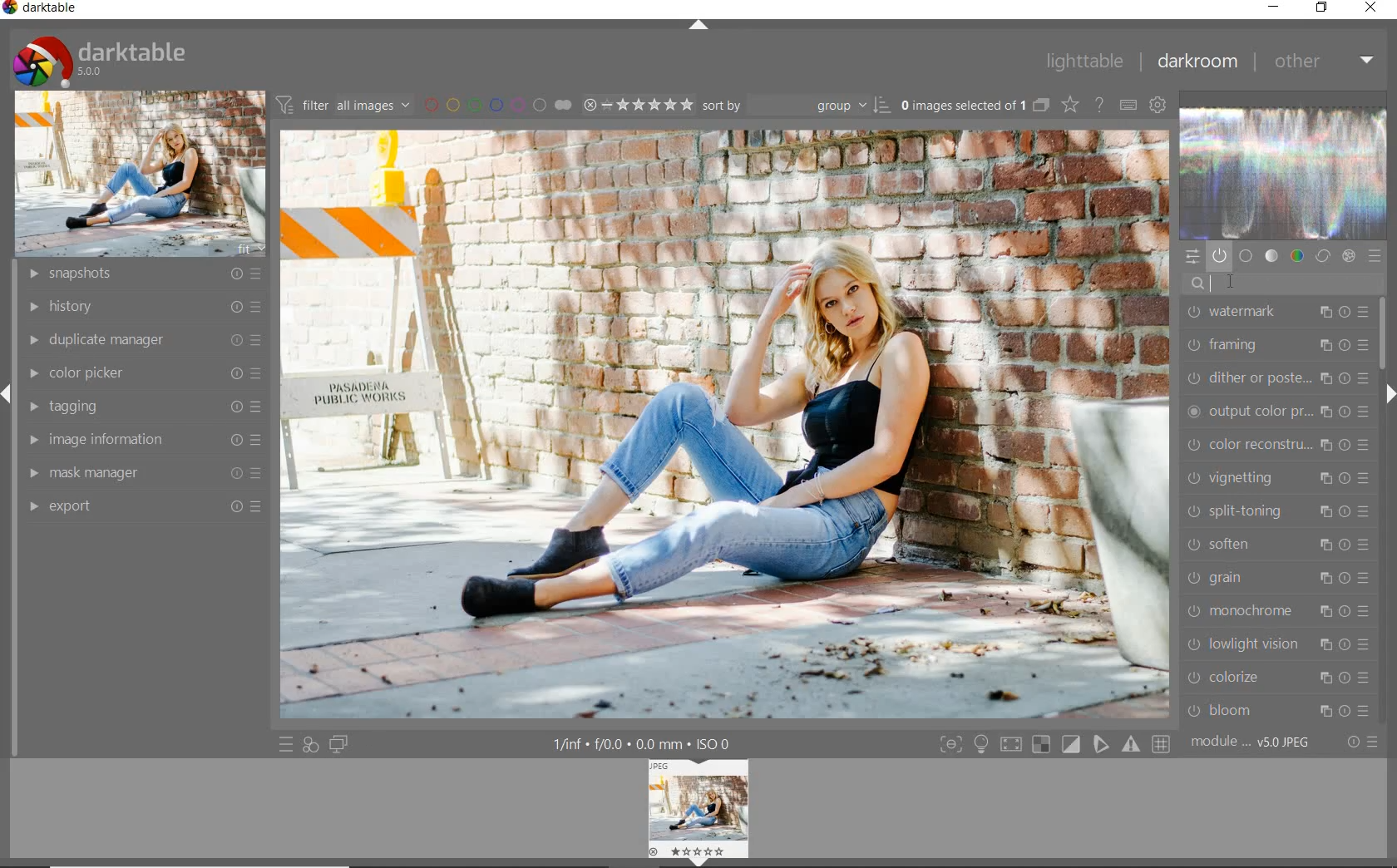  Describe the element at coordinates (1100, 106) in the screenshot. I see `enable for online help` at that location.